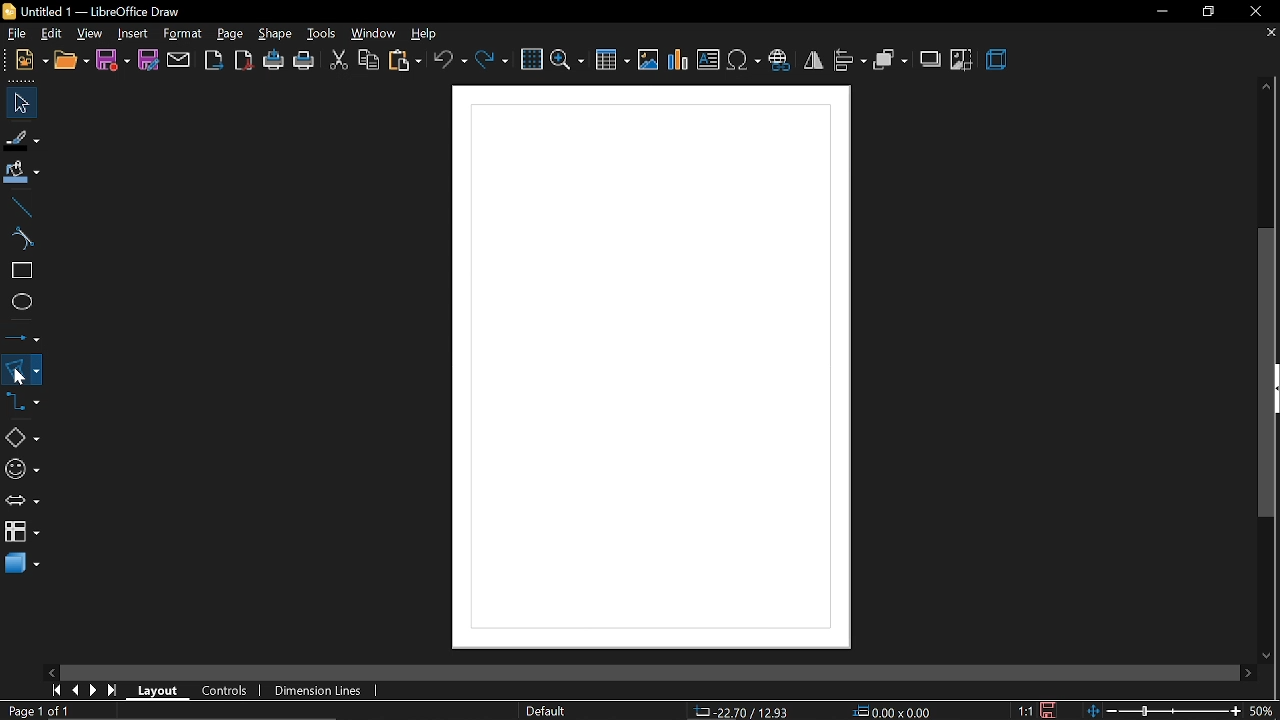  Describe the element at coordinates (54, 33) in the screenshot. I see `edit` at that location.